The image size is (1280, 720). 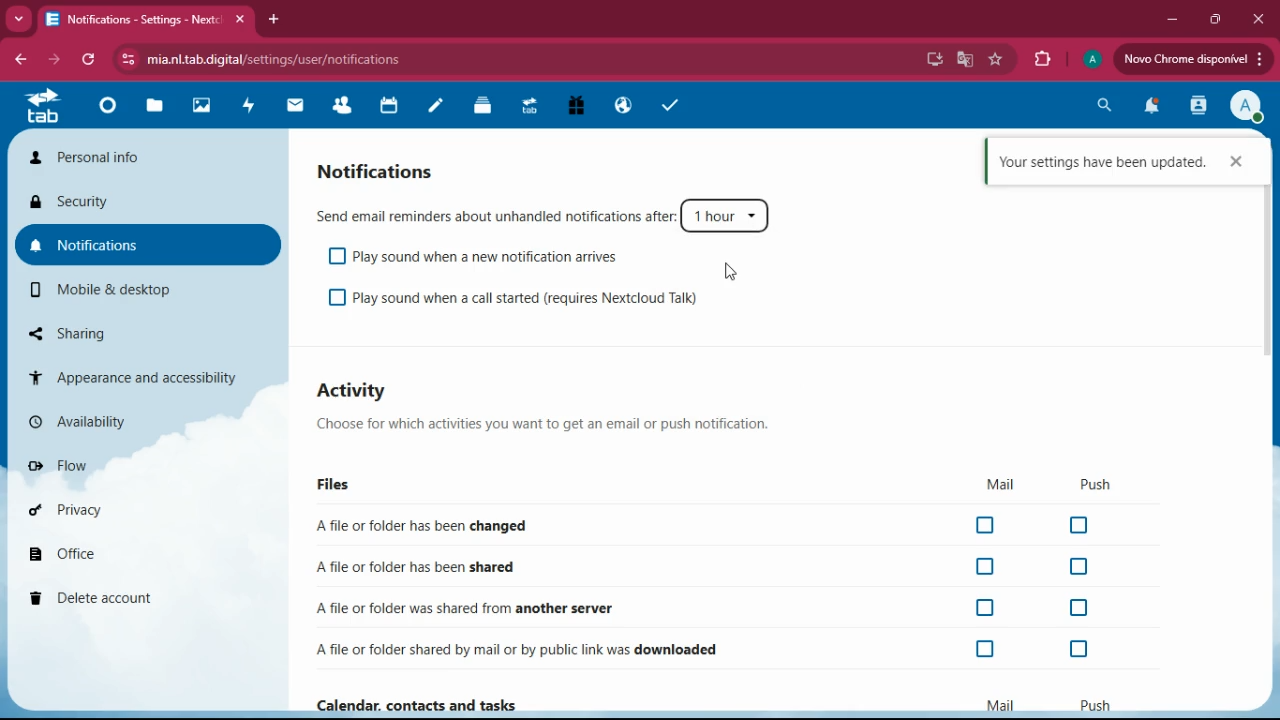 I want to click on profile, so click(x=1248, y=107).